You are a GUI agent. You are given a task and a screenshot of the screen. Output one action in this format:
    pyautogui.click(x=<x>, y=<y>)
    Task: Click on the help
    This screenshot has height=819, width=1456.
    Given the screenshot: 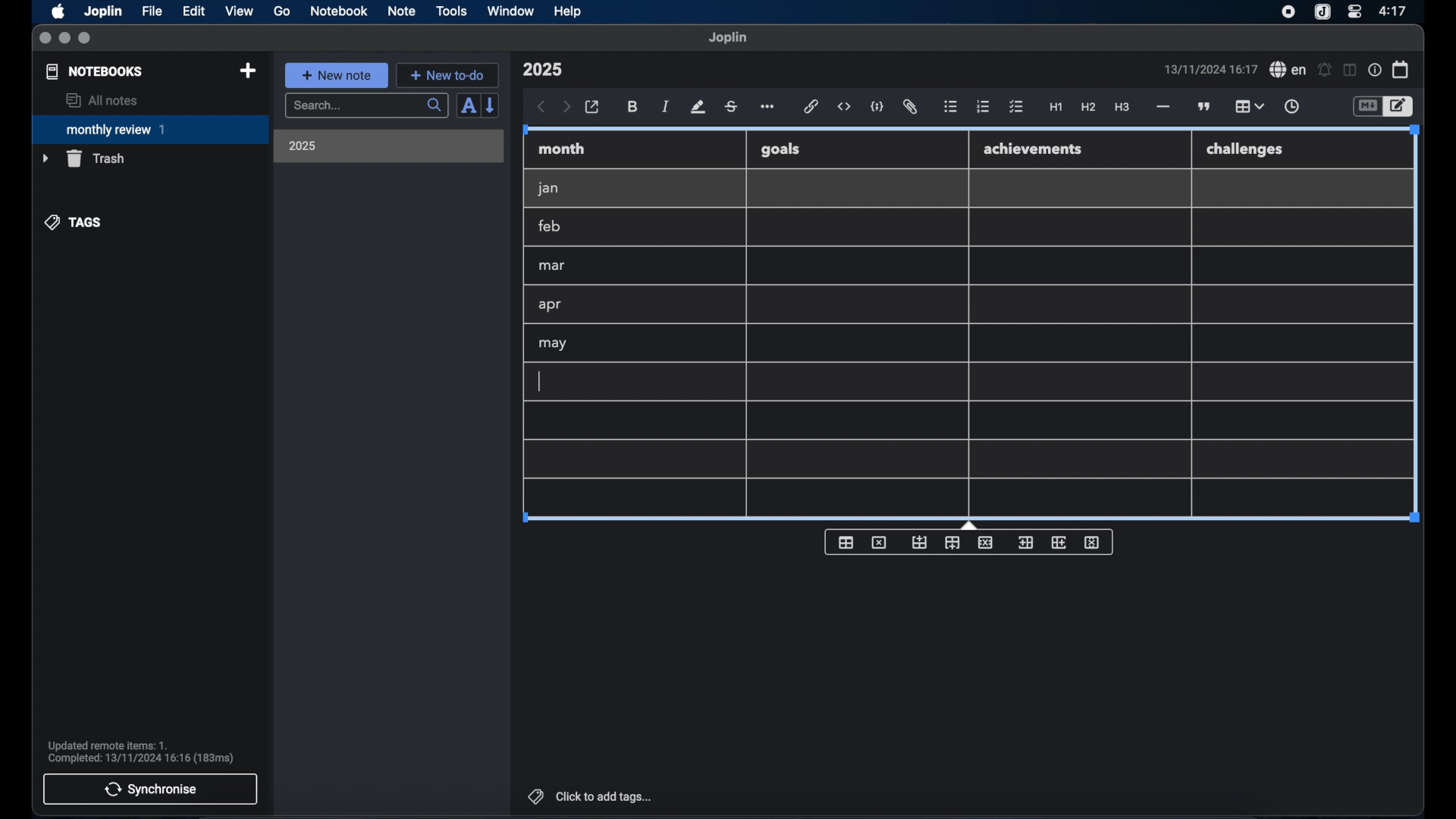 What is the action you would take?
    pyautogui.click(x=569, y=11)
    